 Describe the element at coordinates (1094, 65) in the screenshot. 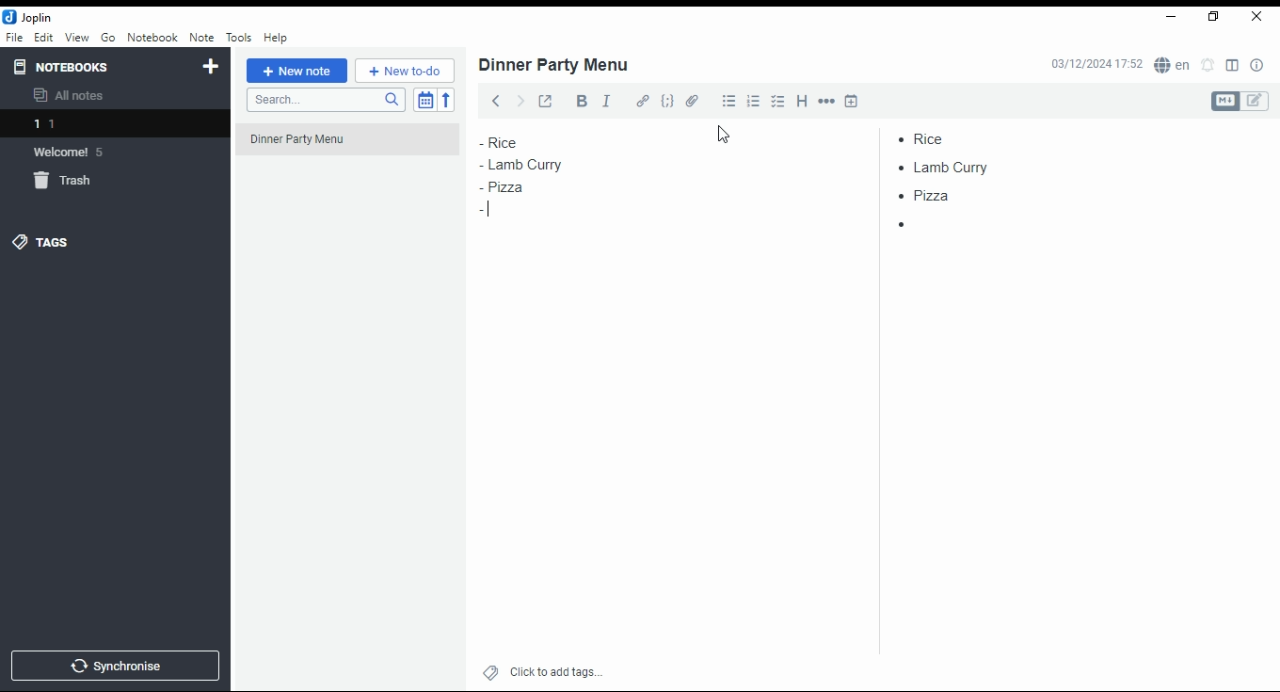

I see `03/12/2024 17:51` at that location.